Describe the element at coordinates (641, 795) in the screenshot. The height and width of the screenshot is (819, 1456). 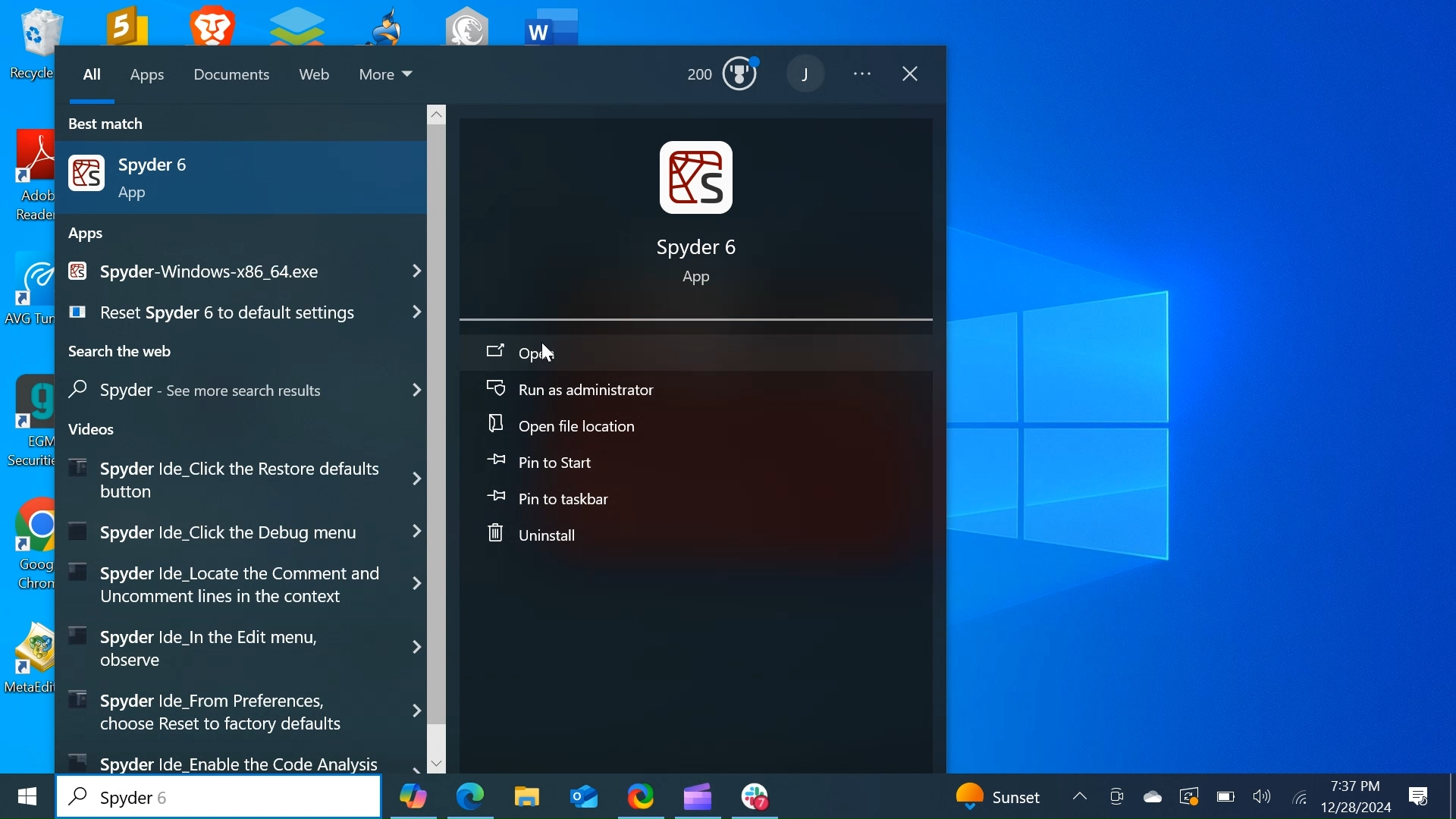
I see `ShareX` at that location.